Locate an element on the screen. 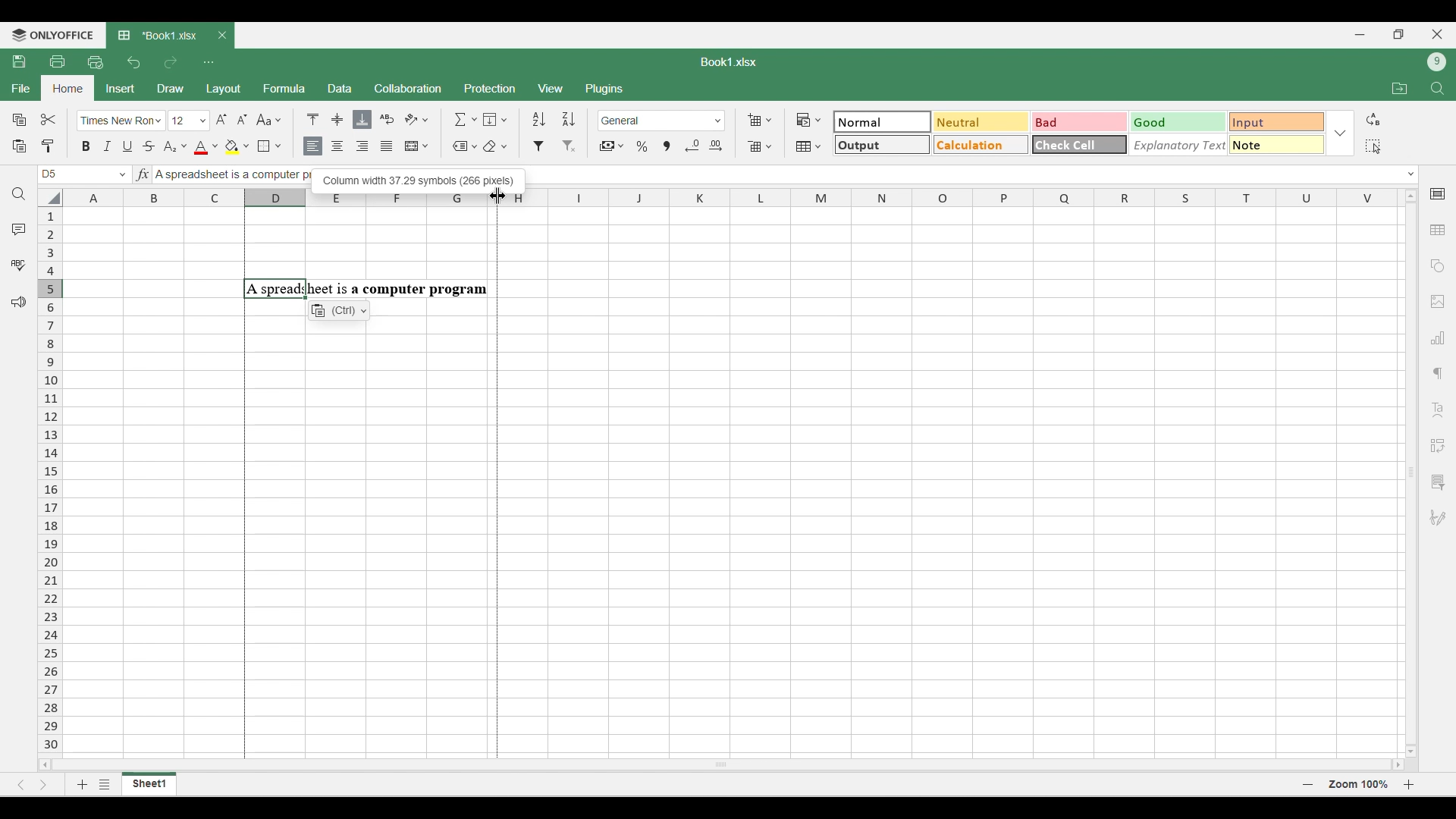 This screenshot has height=819, width=1456. Summation options is located at coordinates (466, 119).